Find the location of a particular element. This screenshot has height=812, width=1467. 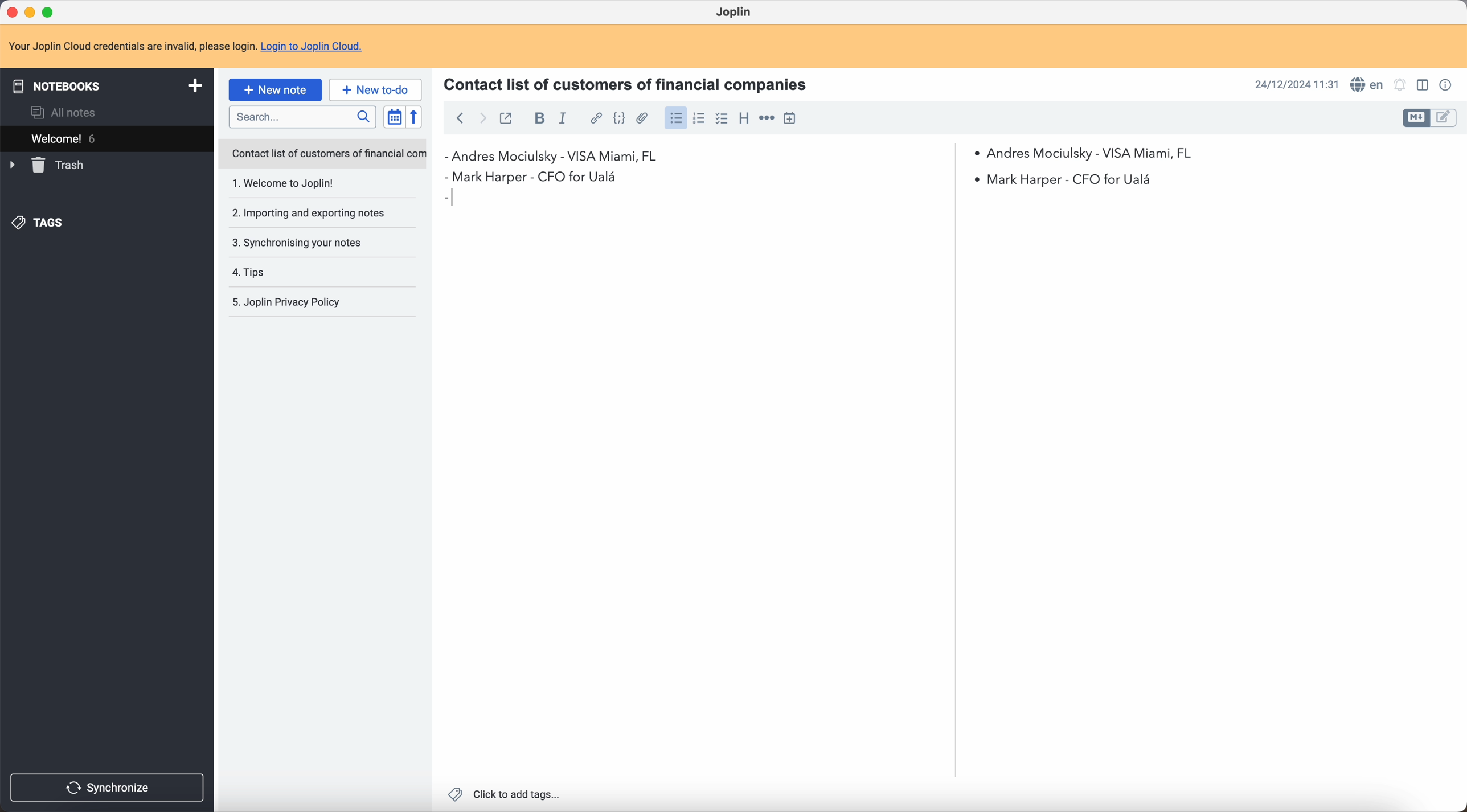

horizontal rule is located at coordinates (767, 118).